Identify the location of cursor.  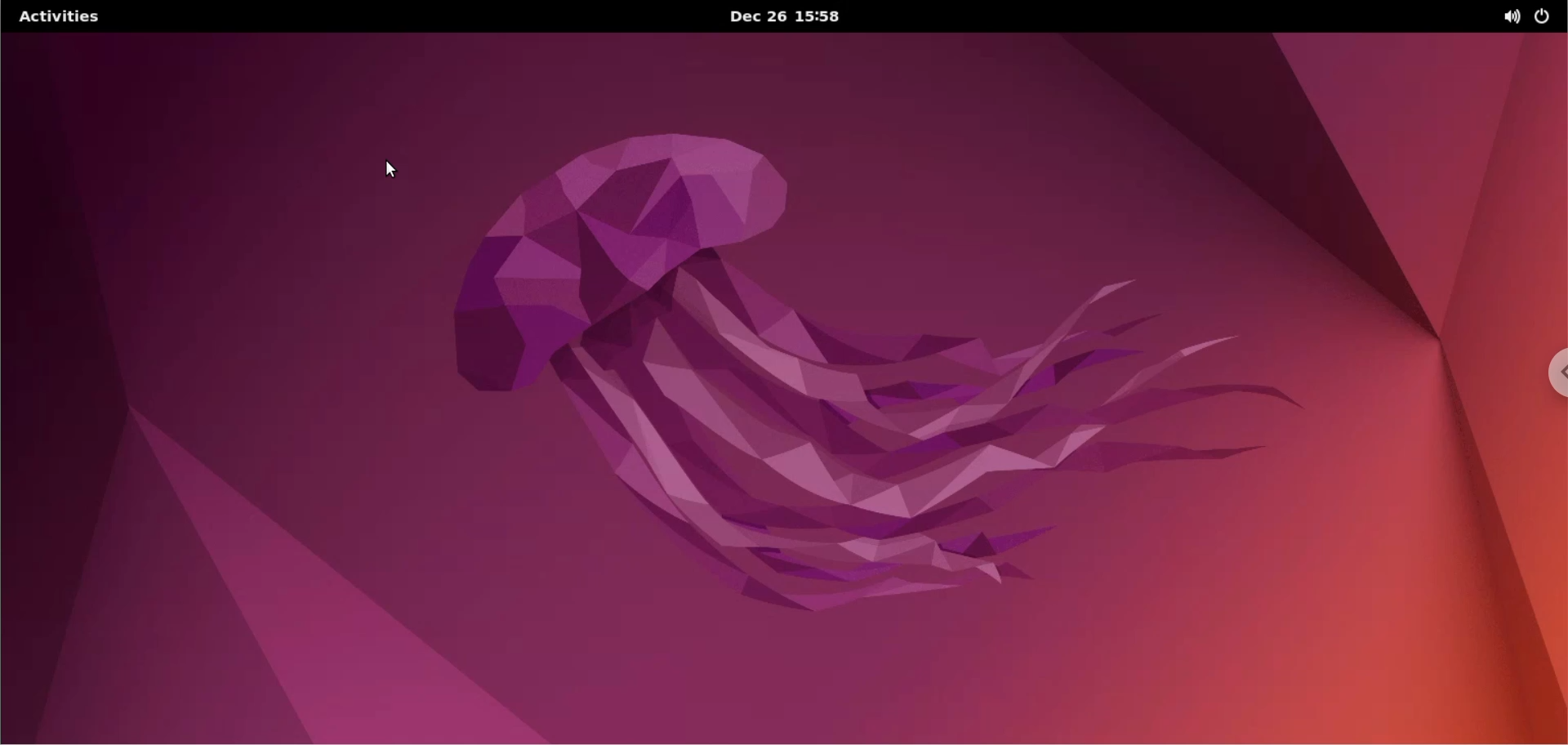
(396, 167).